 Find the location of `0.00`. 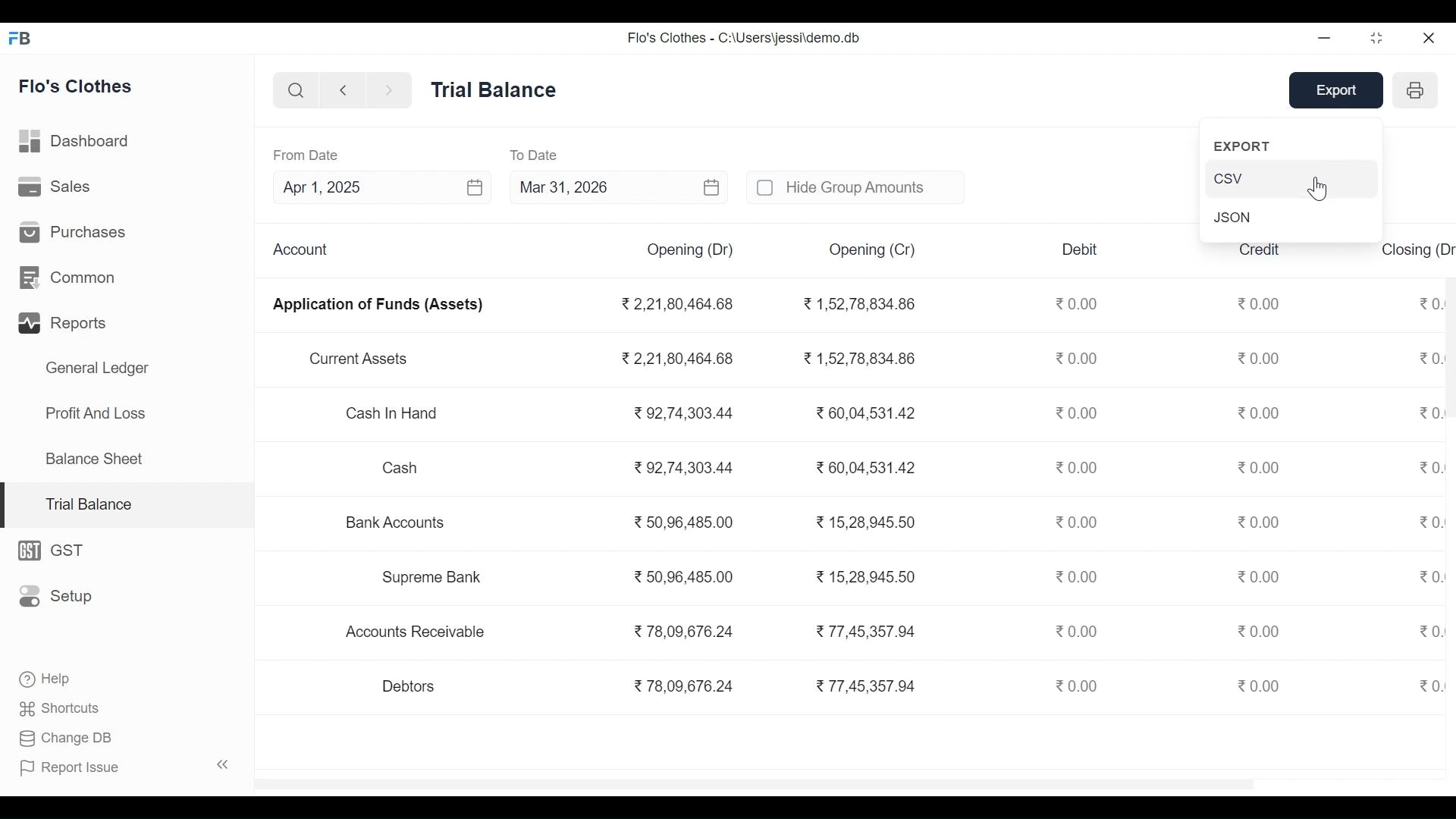

0.00 is located at coordinates (1260, 302).